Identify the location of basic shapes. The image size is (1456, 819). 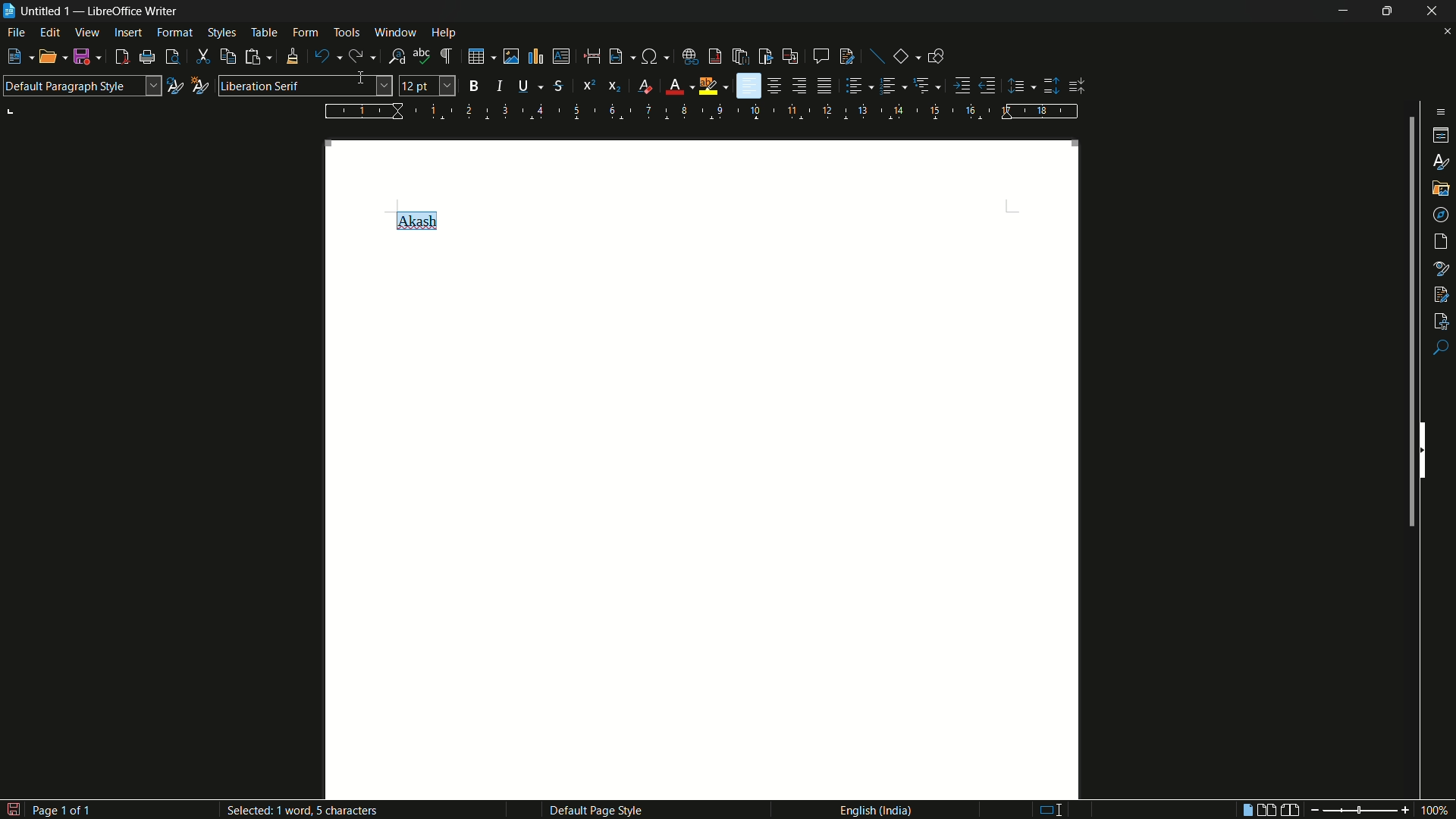
(902, 57).